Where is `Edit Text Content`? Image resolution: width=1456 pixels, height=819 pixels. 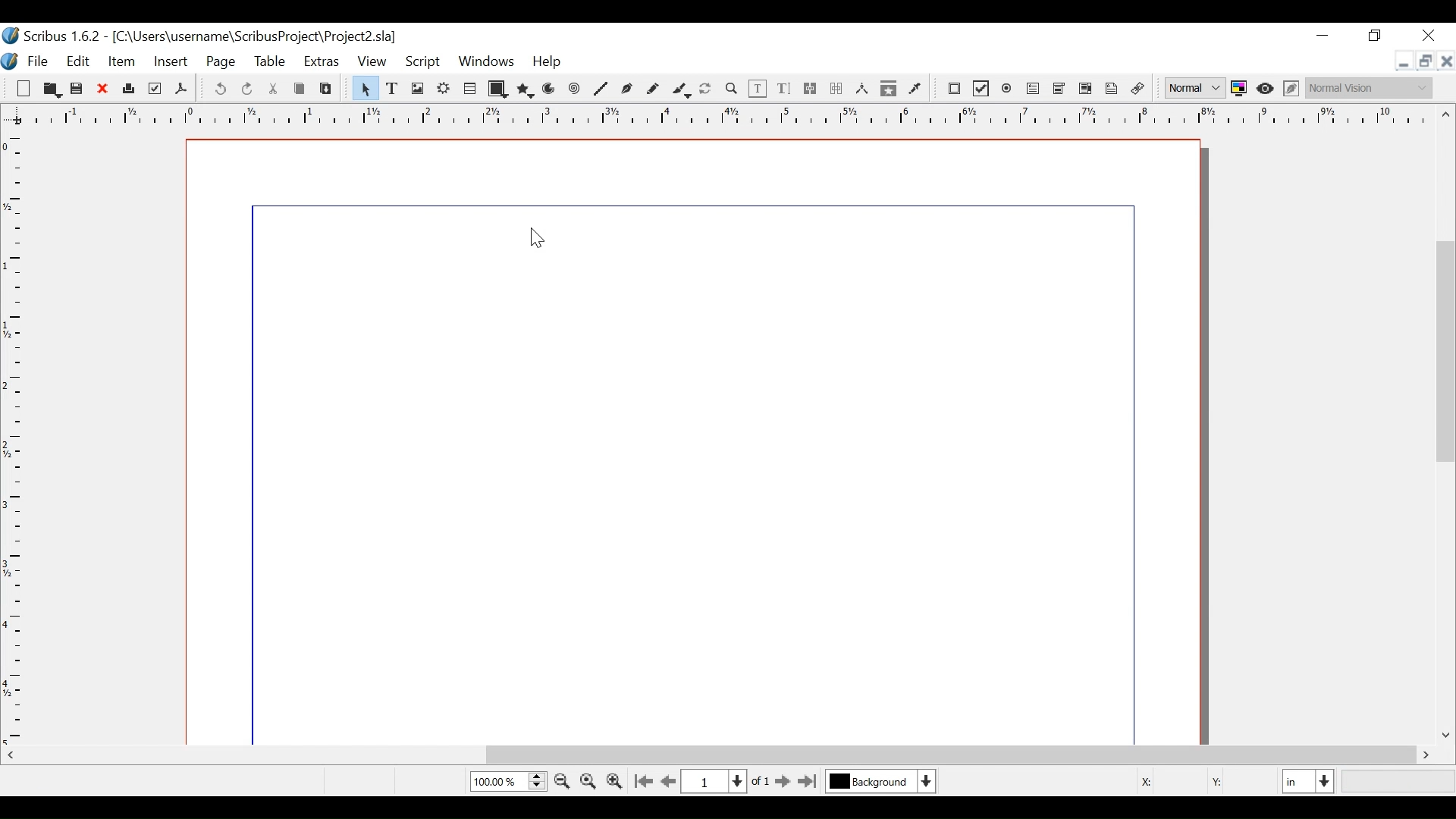
Edit Text Content is located at coordinates (758, 89).